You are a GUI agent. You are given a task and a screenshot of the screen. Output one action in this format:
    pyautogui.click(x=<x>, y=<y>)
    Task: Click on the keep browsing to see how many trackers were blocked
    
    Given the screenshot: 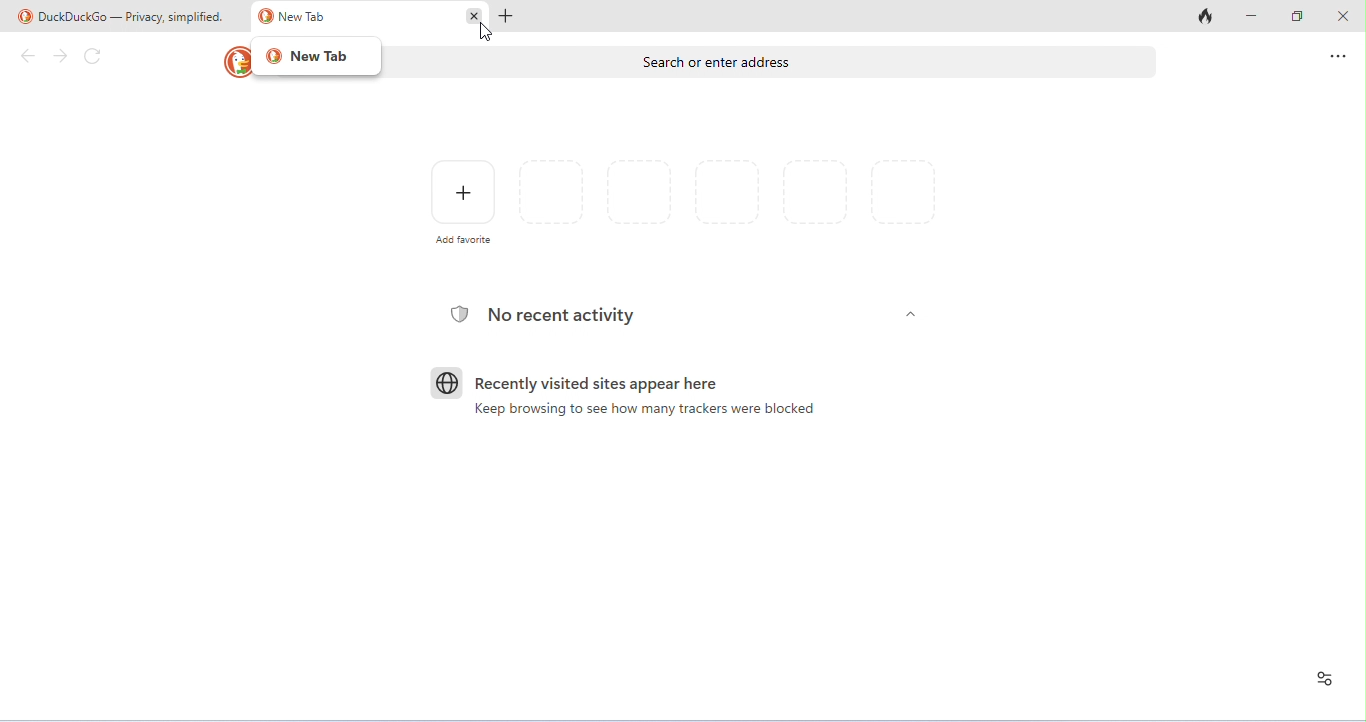 What is the action you would take?
    pyautogui.click(x=639, y=412)
    